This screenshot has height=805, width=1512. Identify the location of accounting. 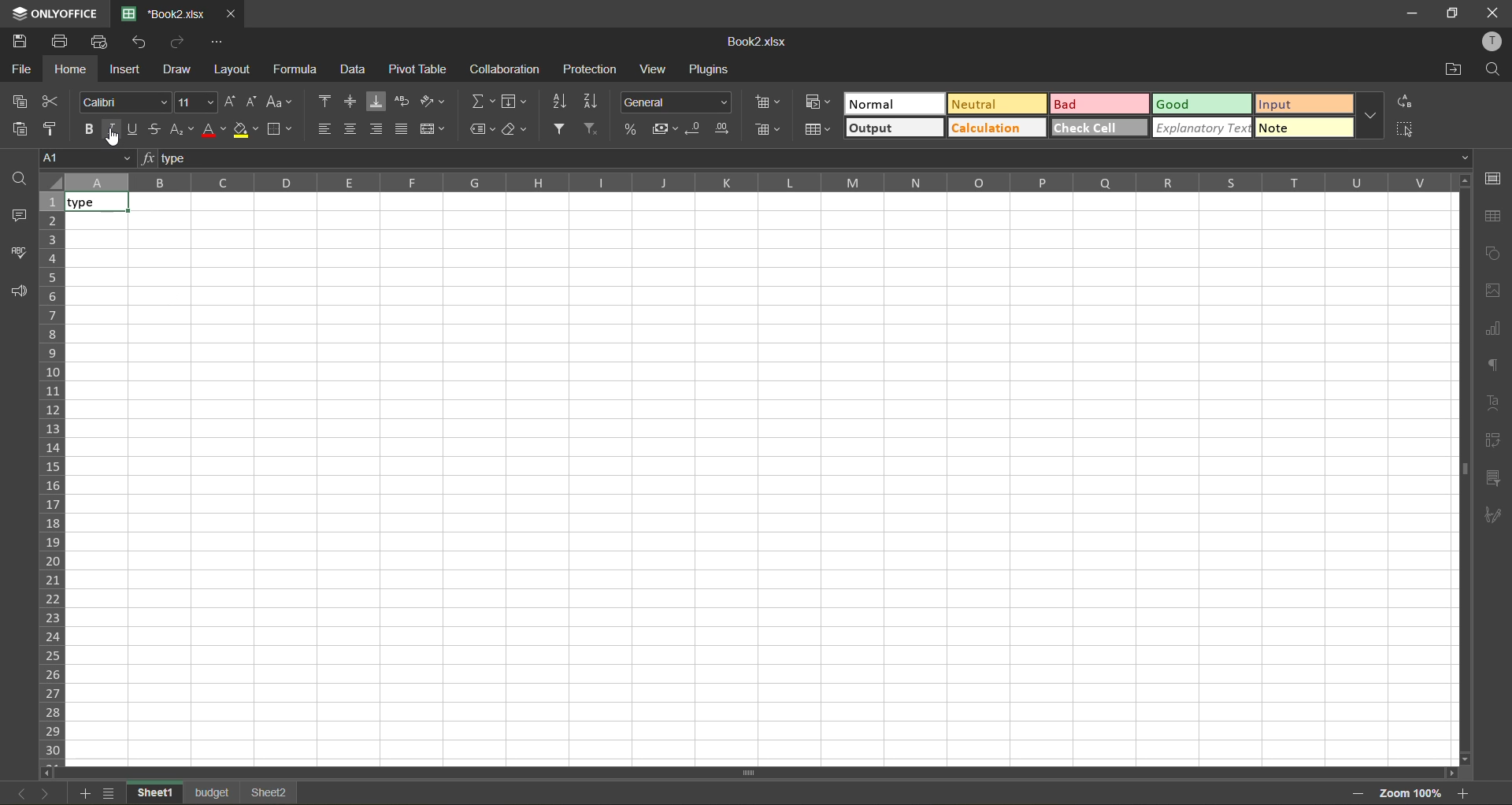
(665, 129).